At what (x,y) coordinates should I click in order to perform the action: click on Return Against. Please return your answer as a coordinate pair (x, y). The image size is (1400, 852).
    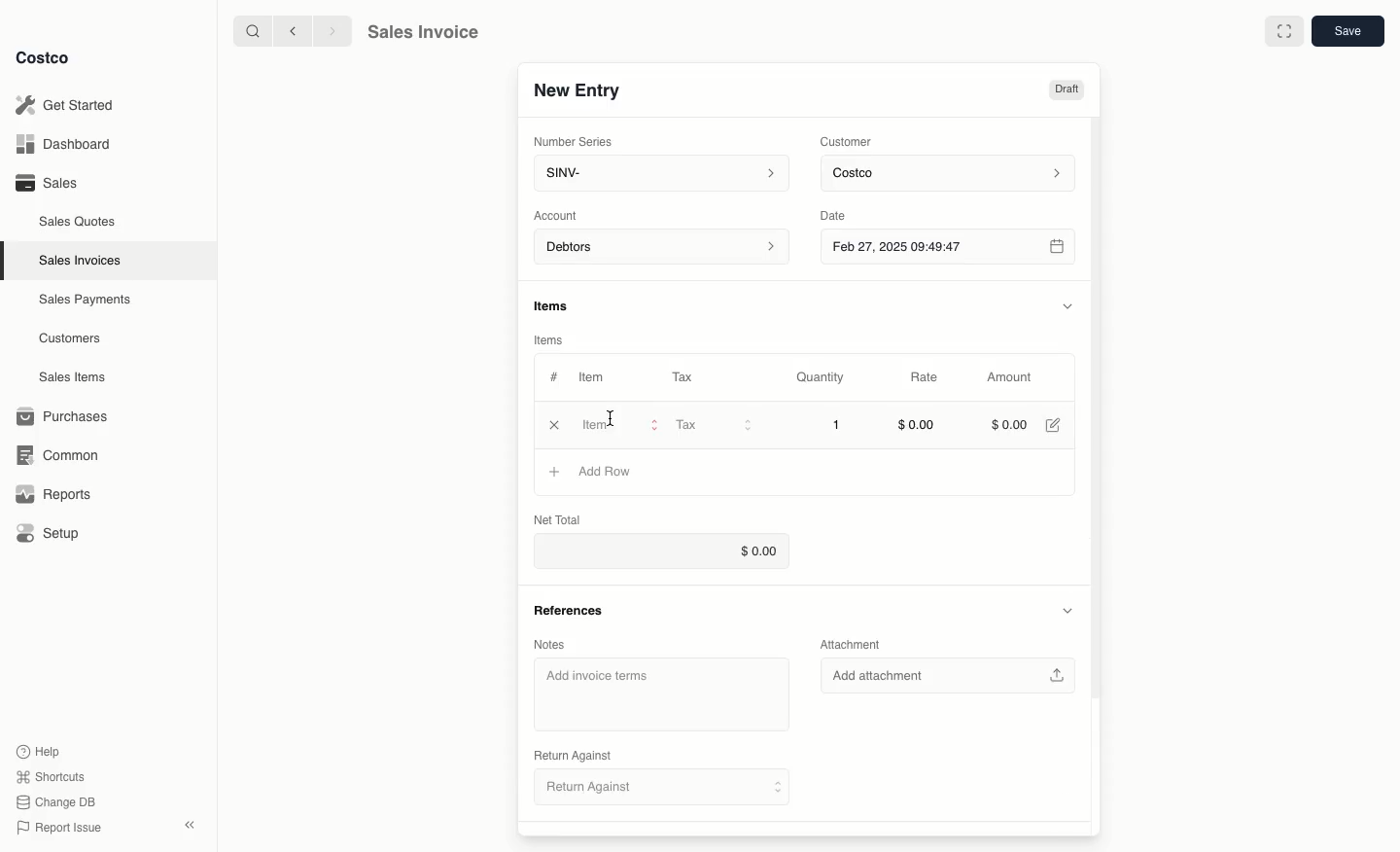
    Looking at the image, I should click on (647, 787).